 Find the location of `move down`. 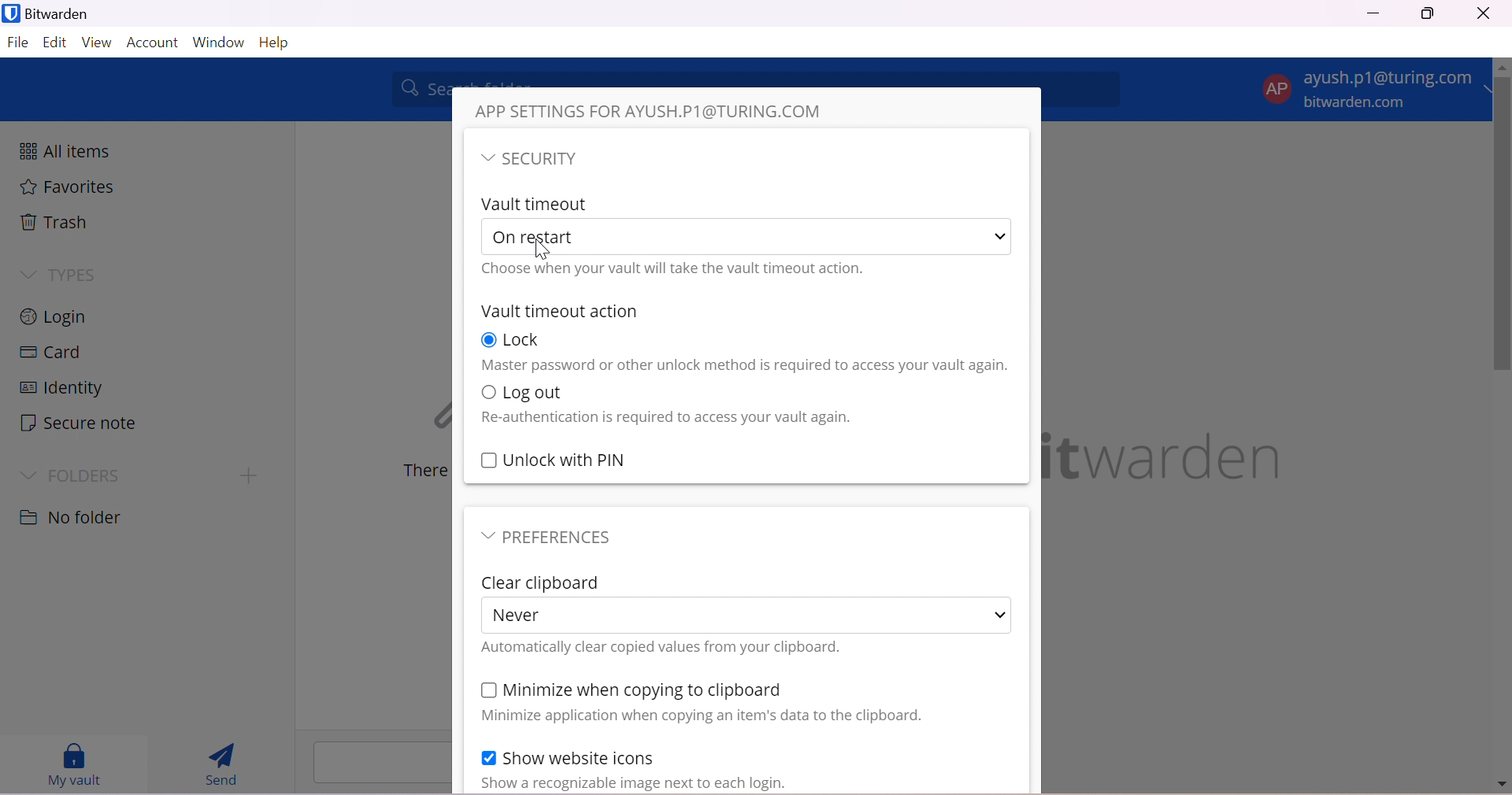

move down is located at coordinates (1501, 786).